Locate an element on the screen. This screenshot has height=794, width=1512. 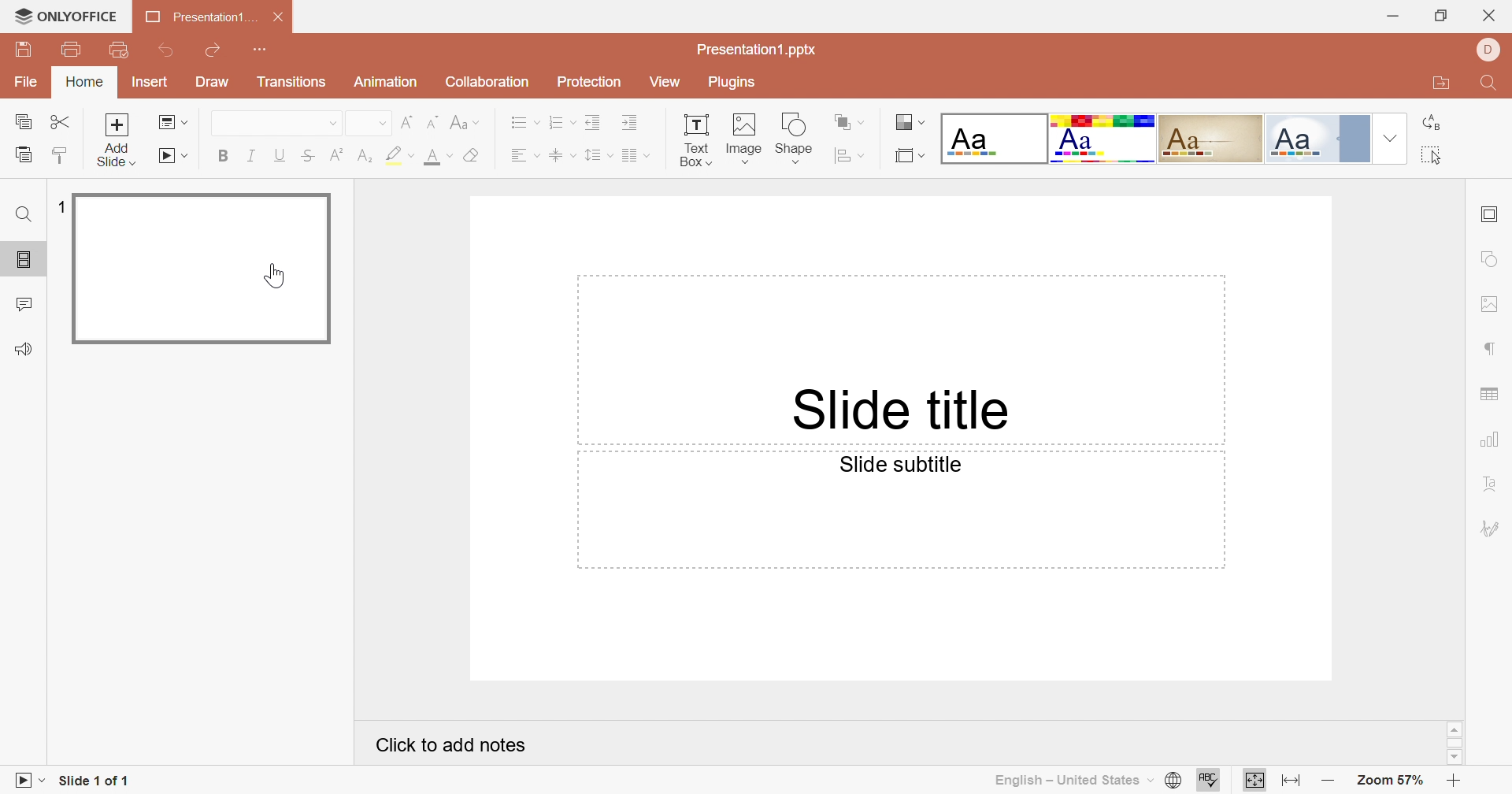
Text Art settings is located at coordinates (1491, 484).